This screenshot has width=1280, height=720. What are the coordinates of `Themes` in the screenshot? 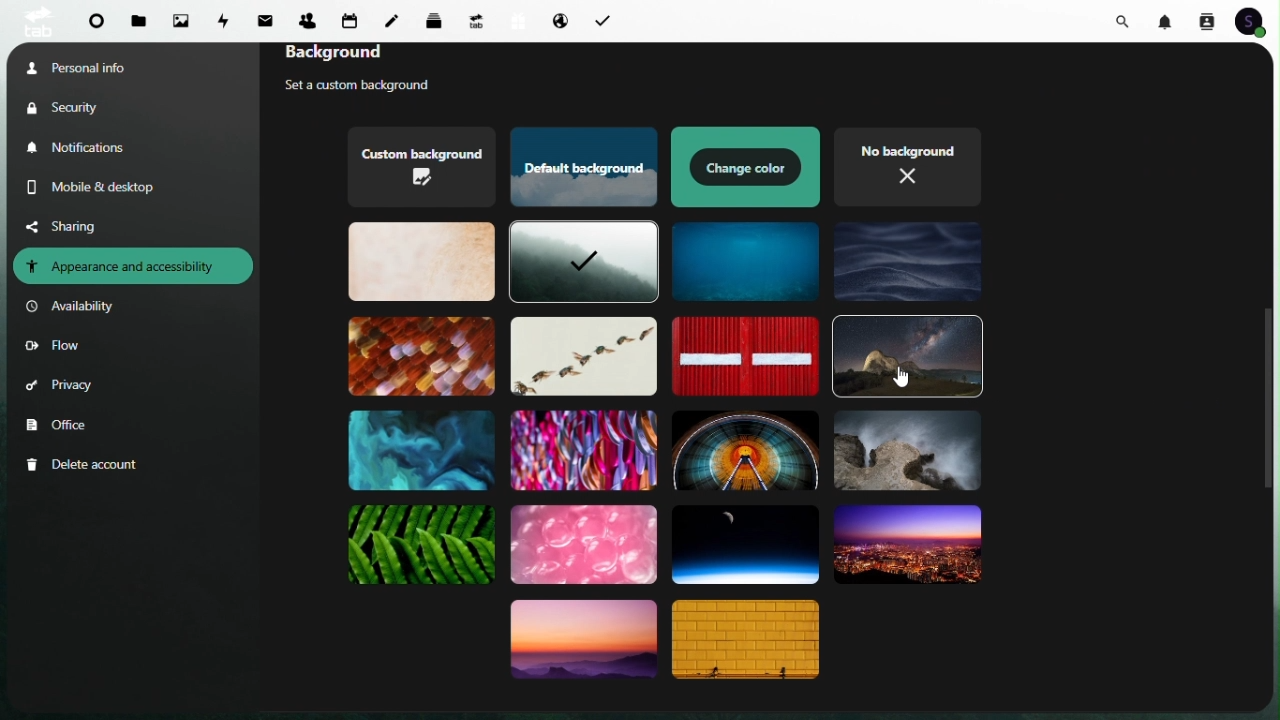 It's located at (909, 260).